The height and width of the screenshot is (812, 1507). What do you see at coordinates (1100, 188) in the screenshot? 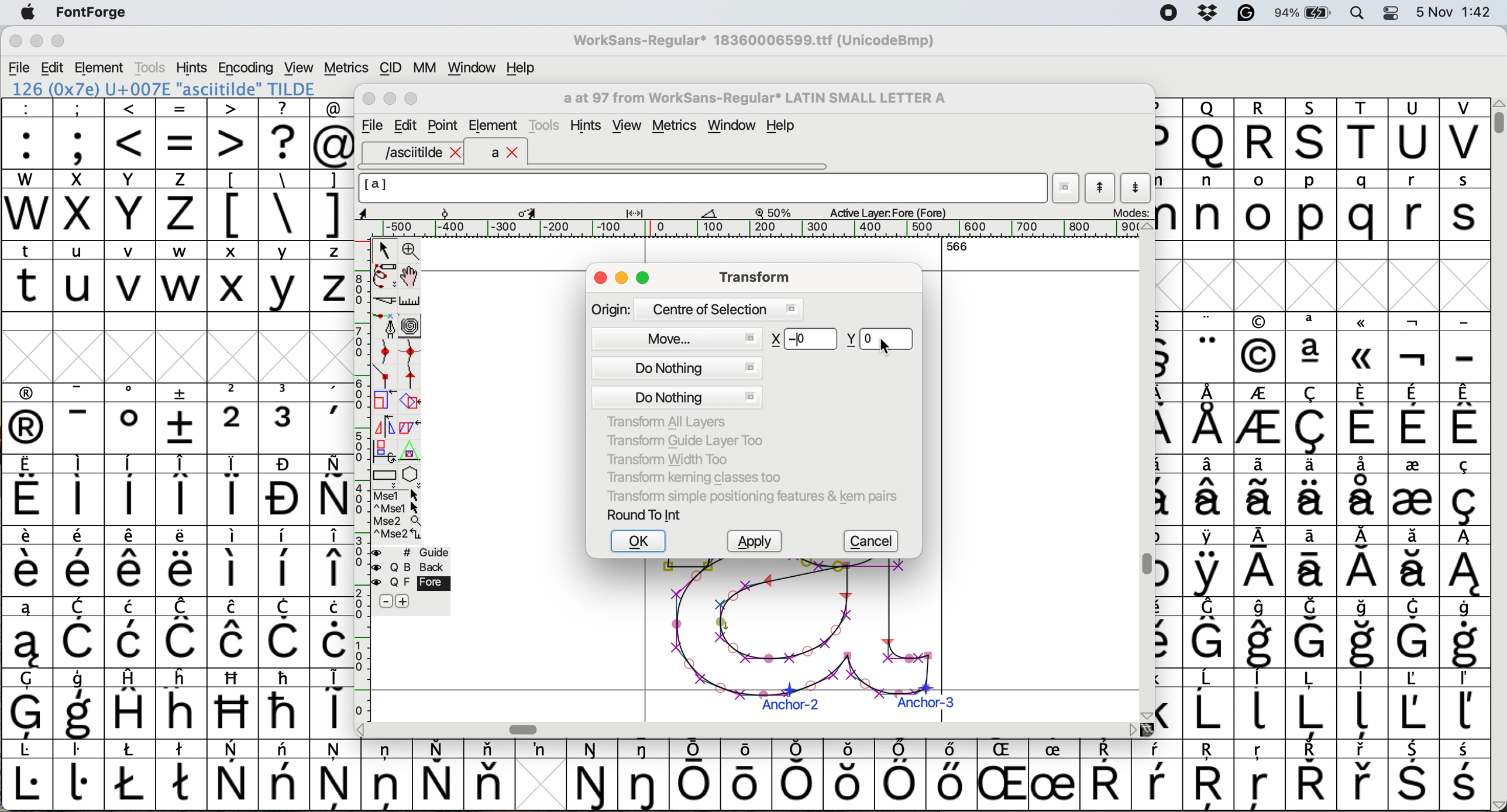
I see `show previous letter` at bounding box center [1100, 188].